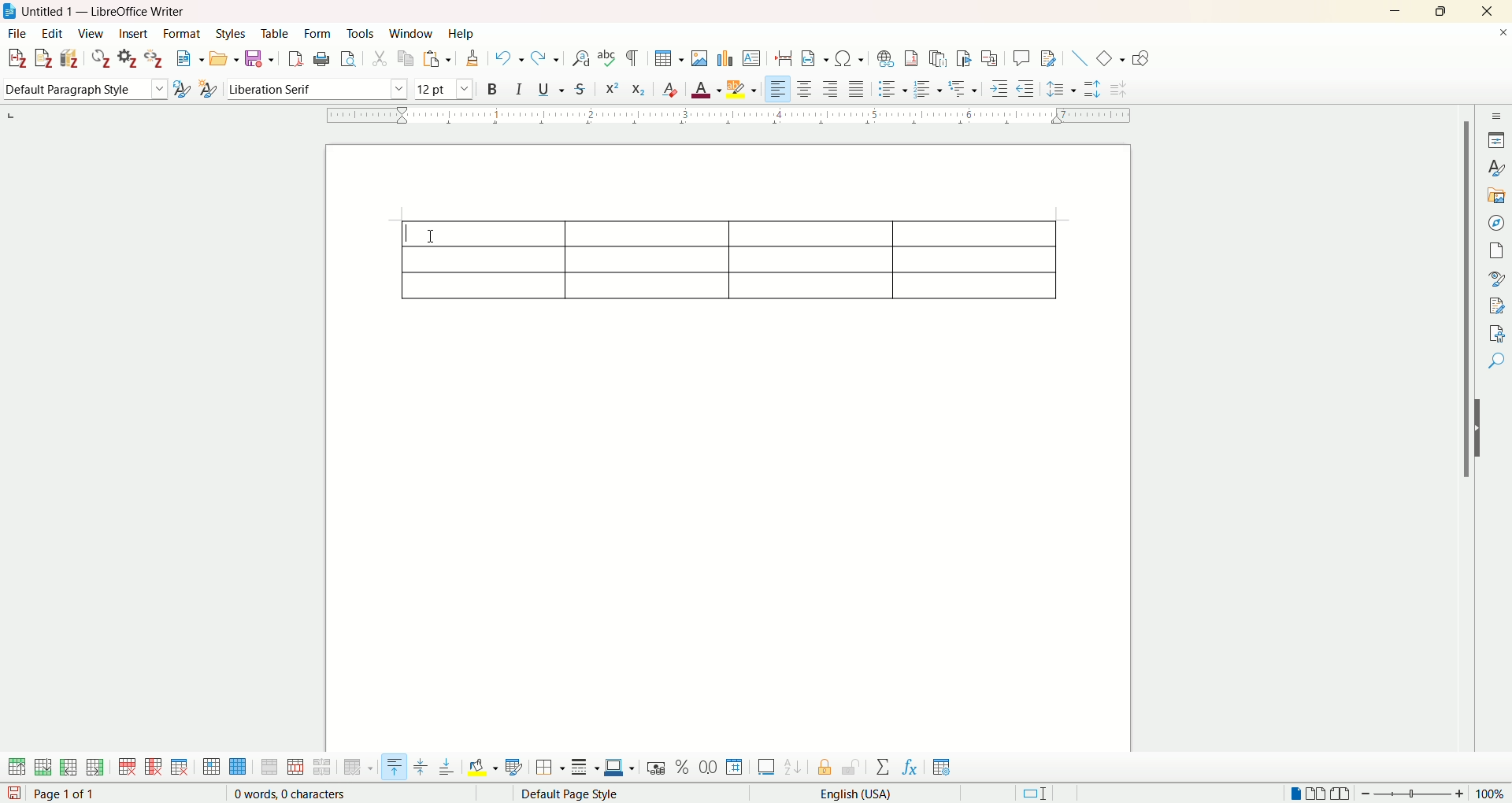  What do you see at coordinates (894, 89) in the screenshot?
I see `unordered list` at bounding box center [894, 89].